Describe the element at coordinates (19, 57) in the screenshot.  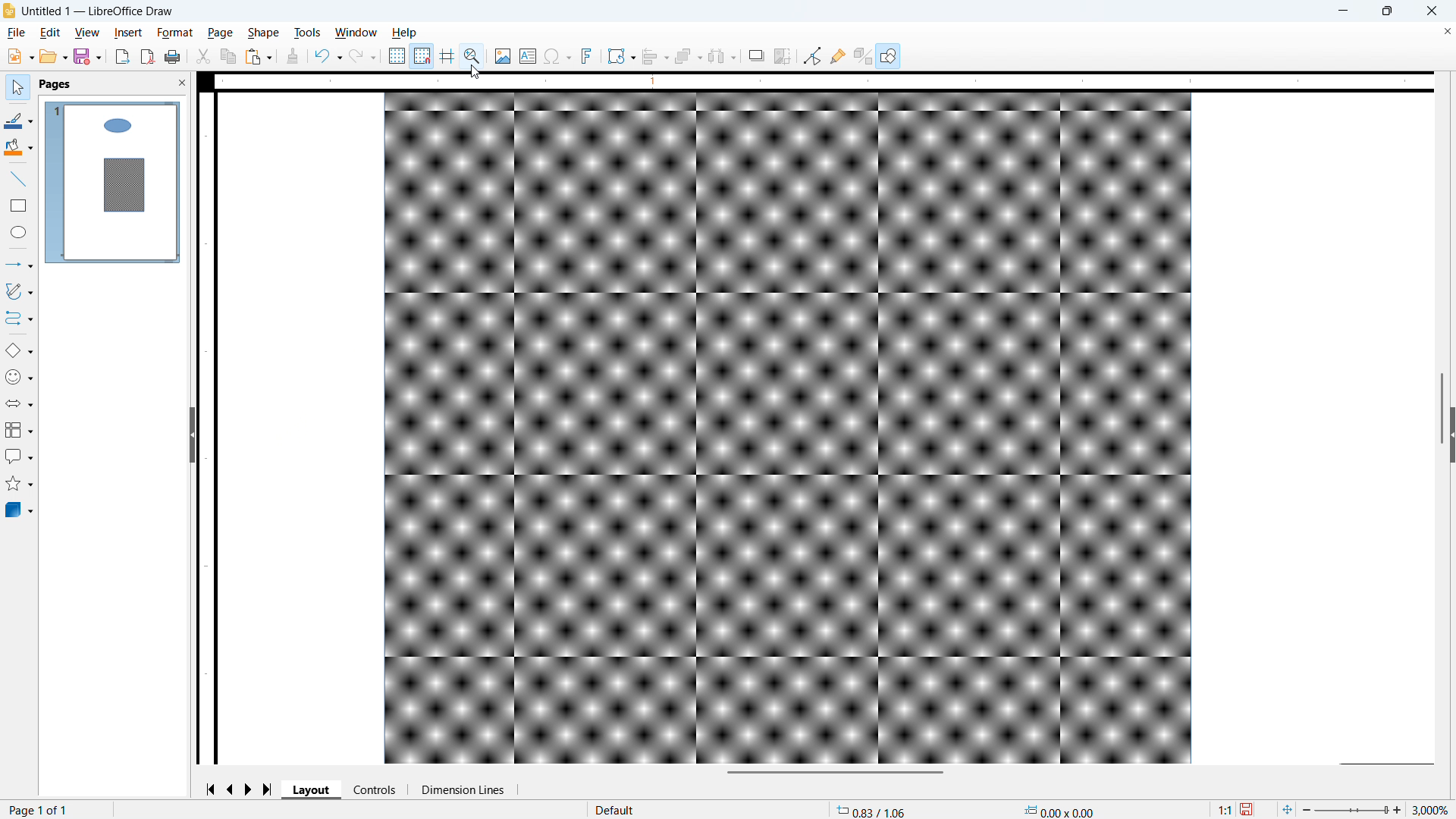
I see `New ` at that location.